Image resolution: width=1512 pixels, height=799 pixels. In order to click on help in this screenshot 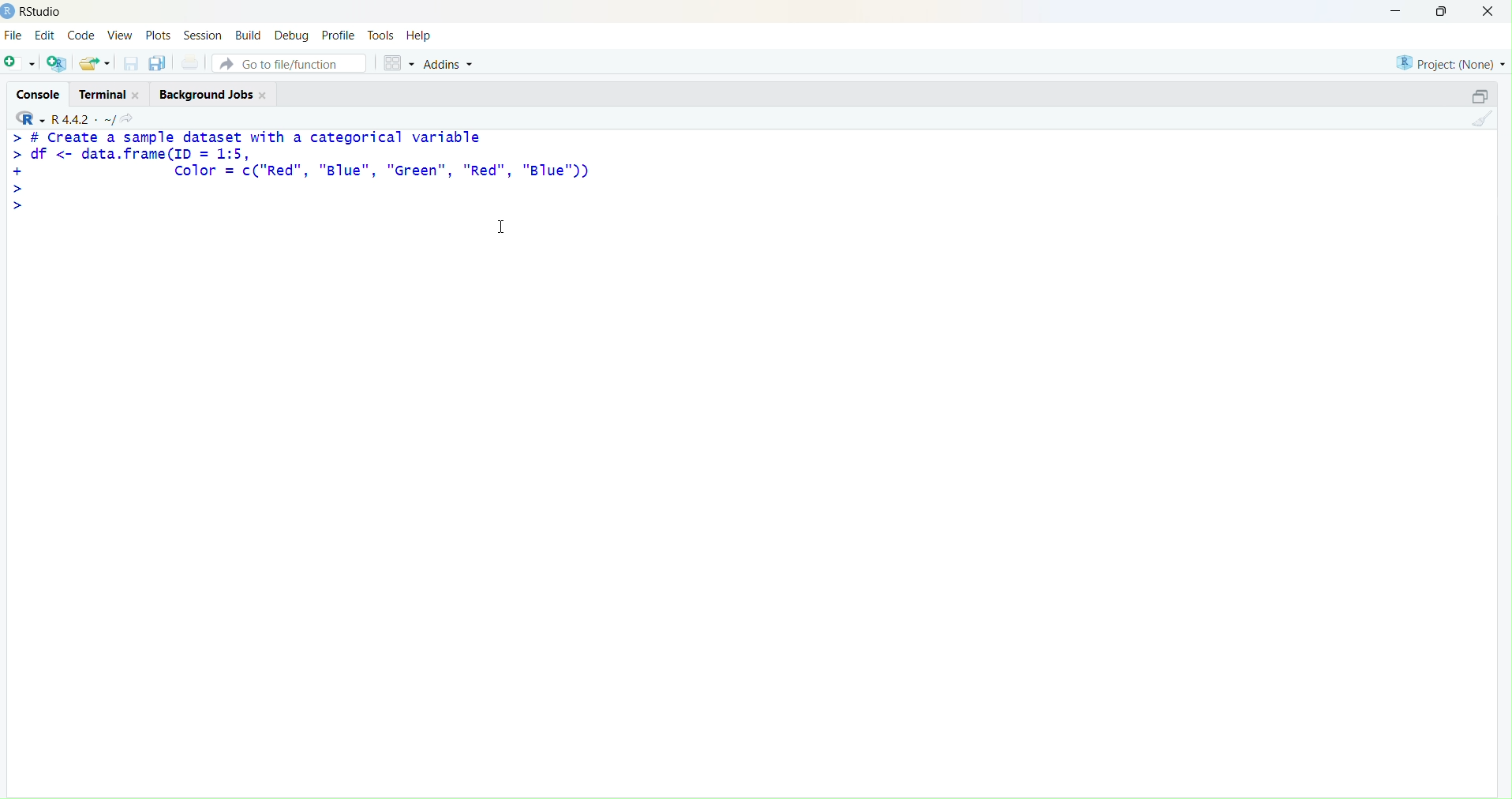, I will do `click(419, 36)`.